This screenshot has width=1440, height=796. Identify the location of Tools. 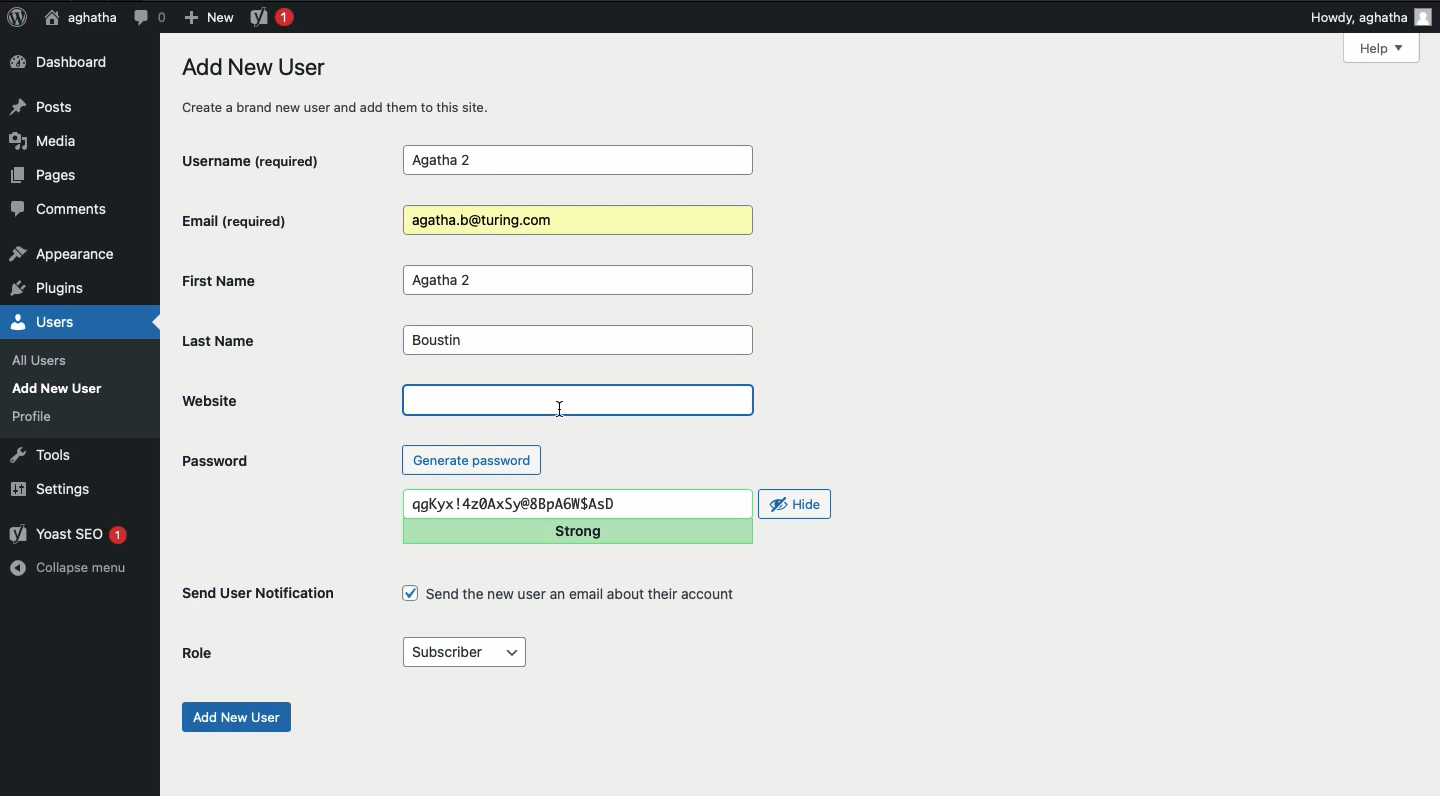
(42, 453).